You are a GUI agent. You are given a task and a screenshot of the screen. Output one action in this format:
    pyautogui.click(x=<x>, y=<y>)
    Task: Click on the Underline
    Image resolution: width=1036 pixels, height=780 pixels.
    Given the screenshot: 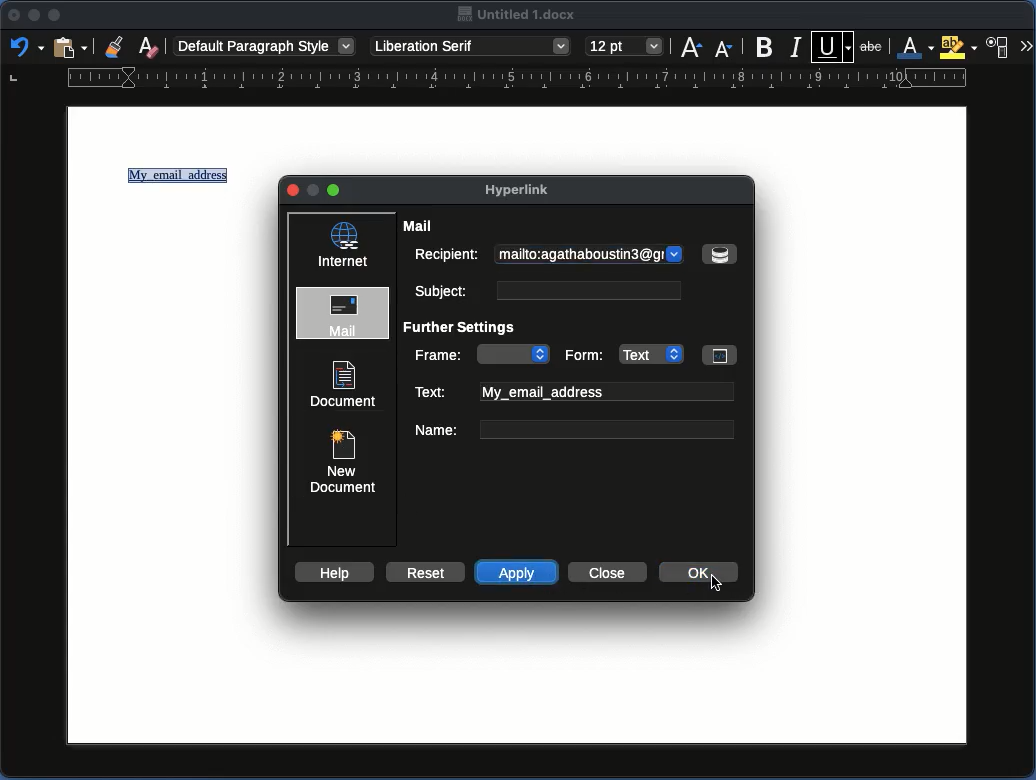 What is the action you would take?
    pyautogui.click(x=833, y=45)
    